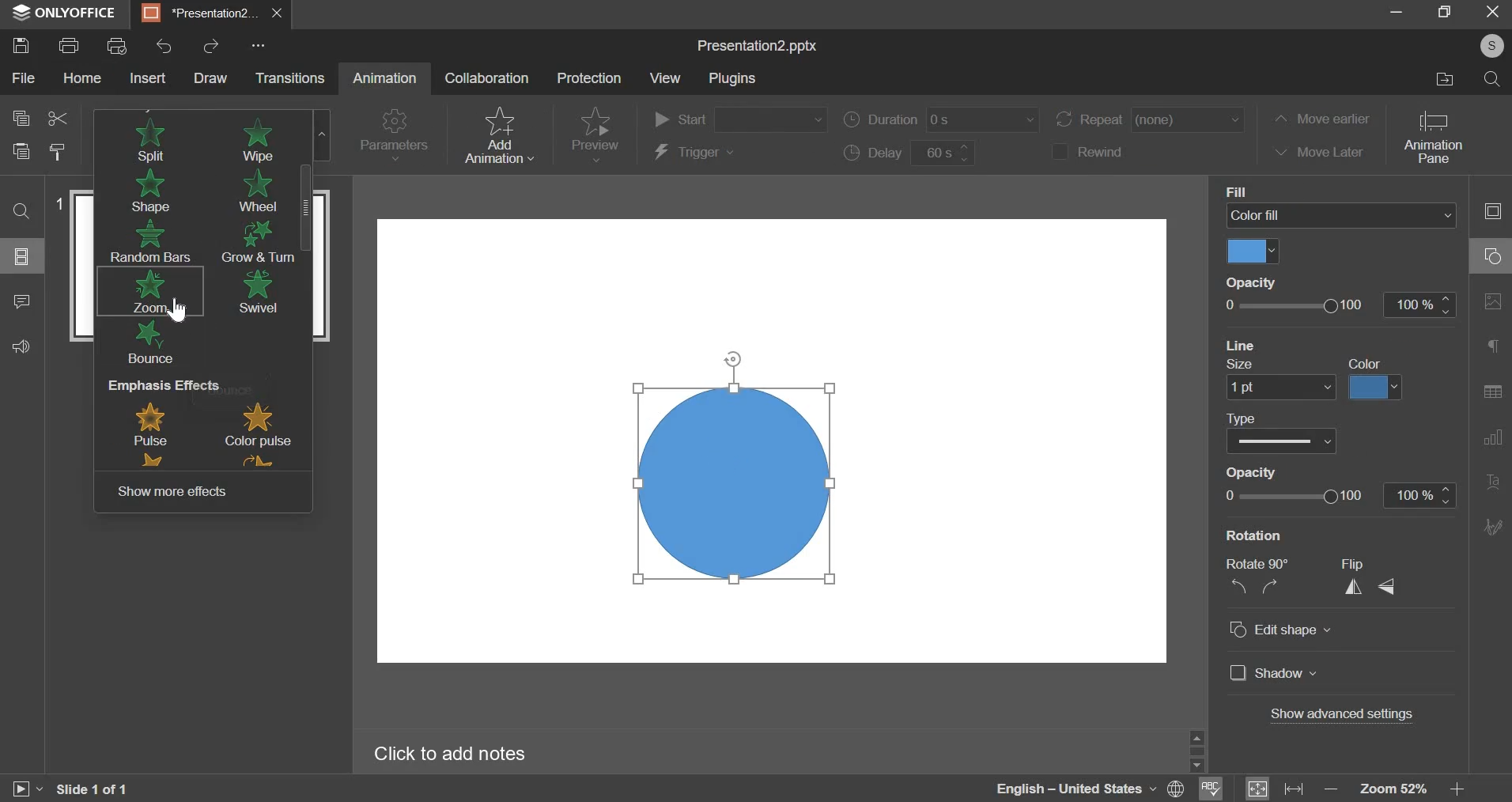 This screenshot has width=1512, height=802. I want to click on presentation, so click(211, 16).